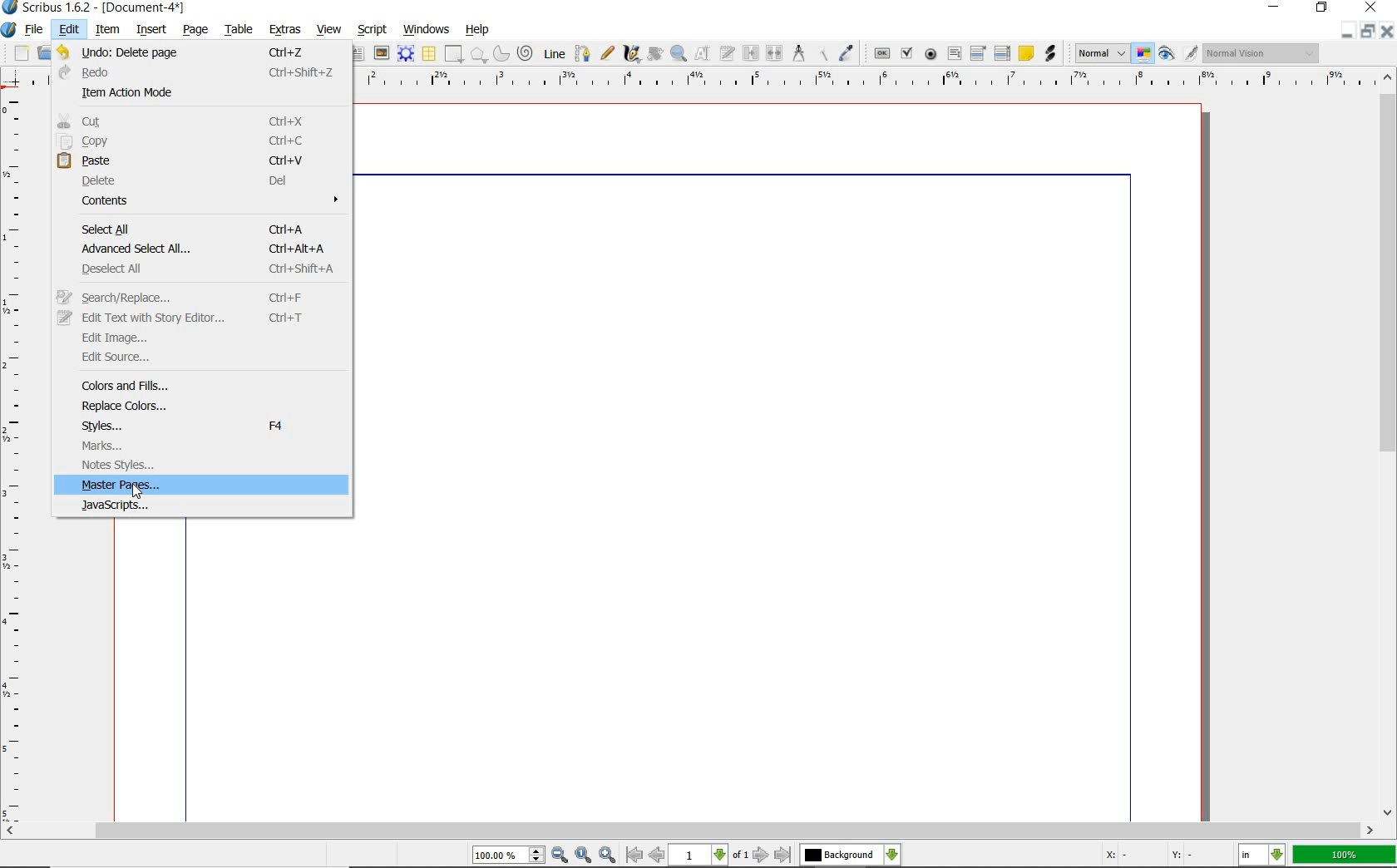  Describe the element at coordinates (799, 54) in the screenshot. I see `measurements` at that location.